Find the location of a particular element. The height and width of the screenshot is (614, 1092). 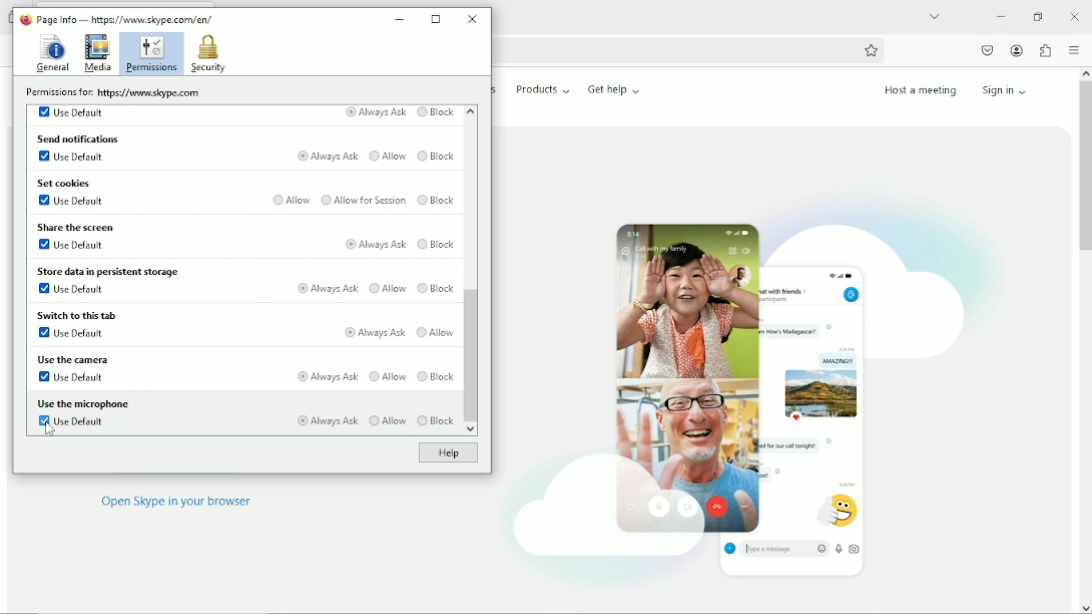

Allow is located at coordinates (292, 199).